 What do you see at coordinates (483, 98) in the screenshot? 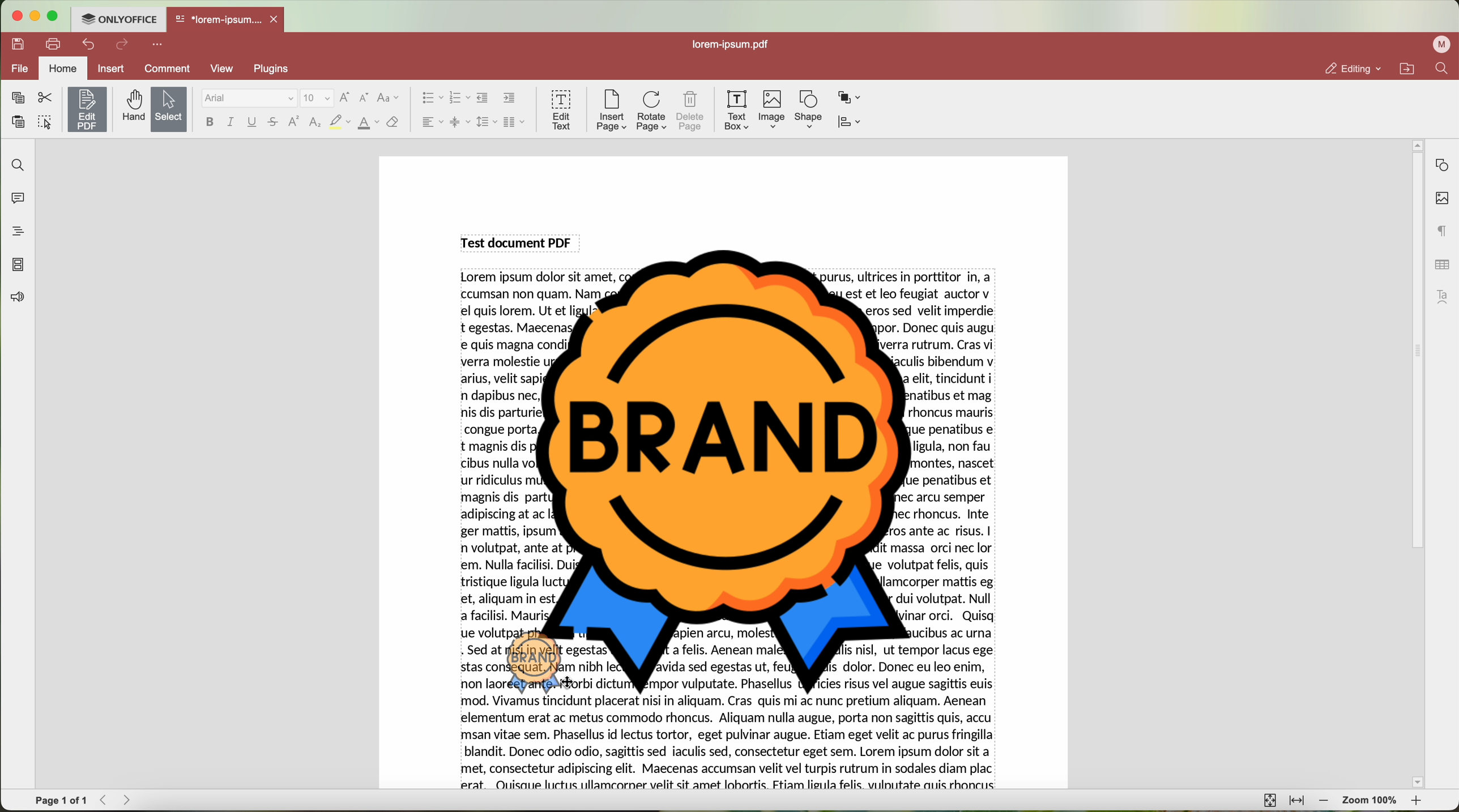
I see `decrease indent` at bounding box center [483, 98].